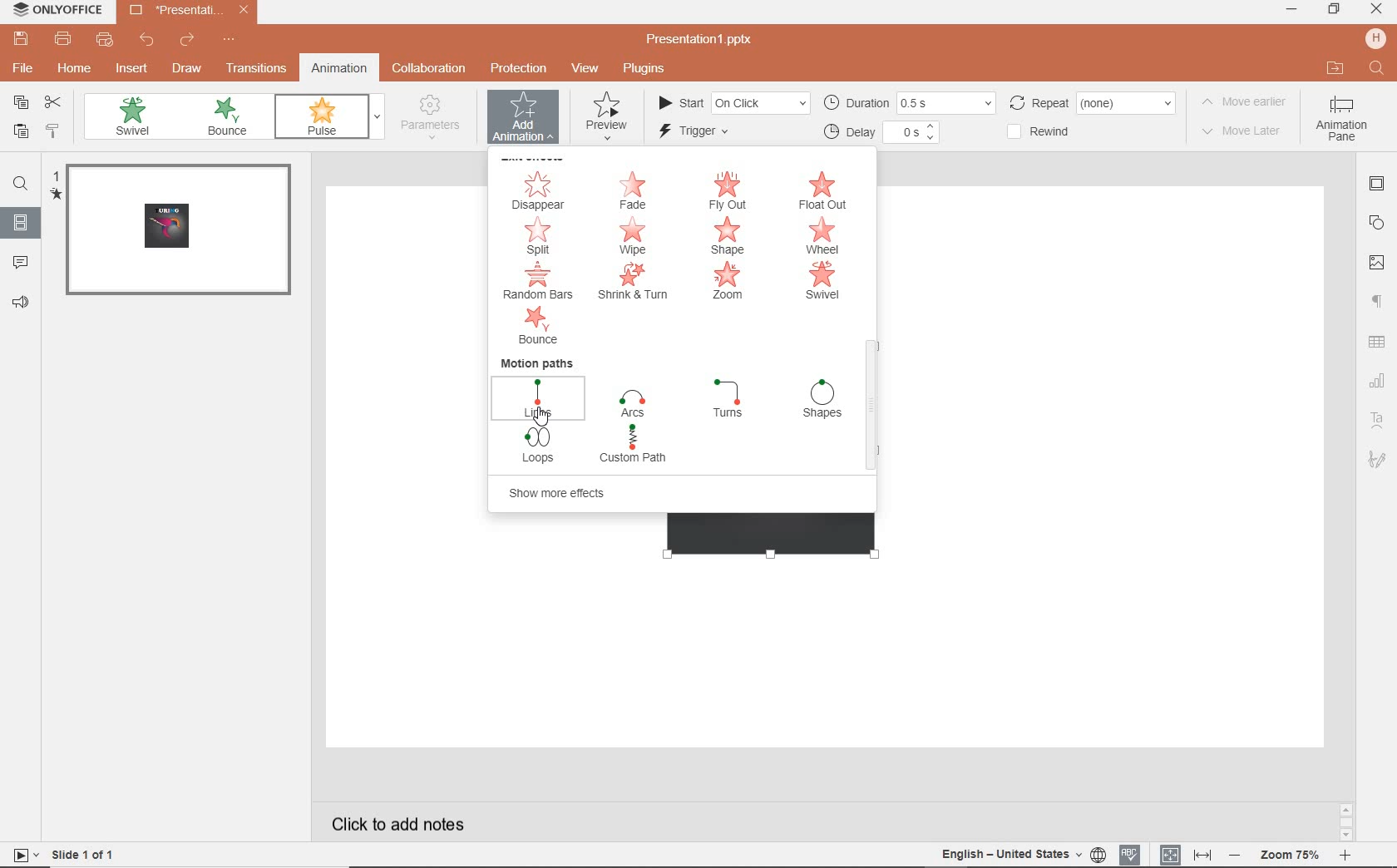  I want to click on shape, so click(732, 236).